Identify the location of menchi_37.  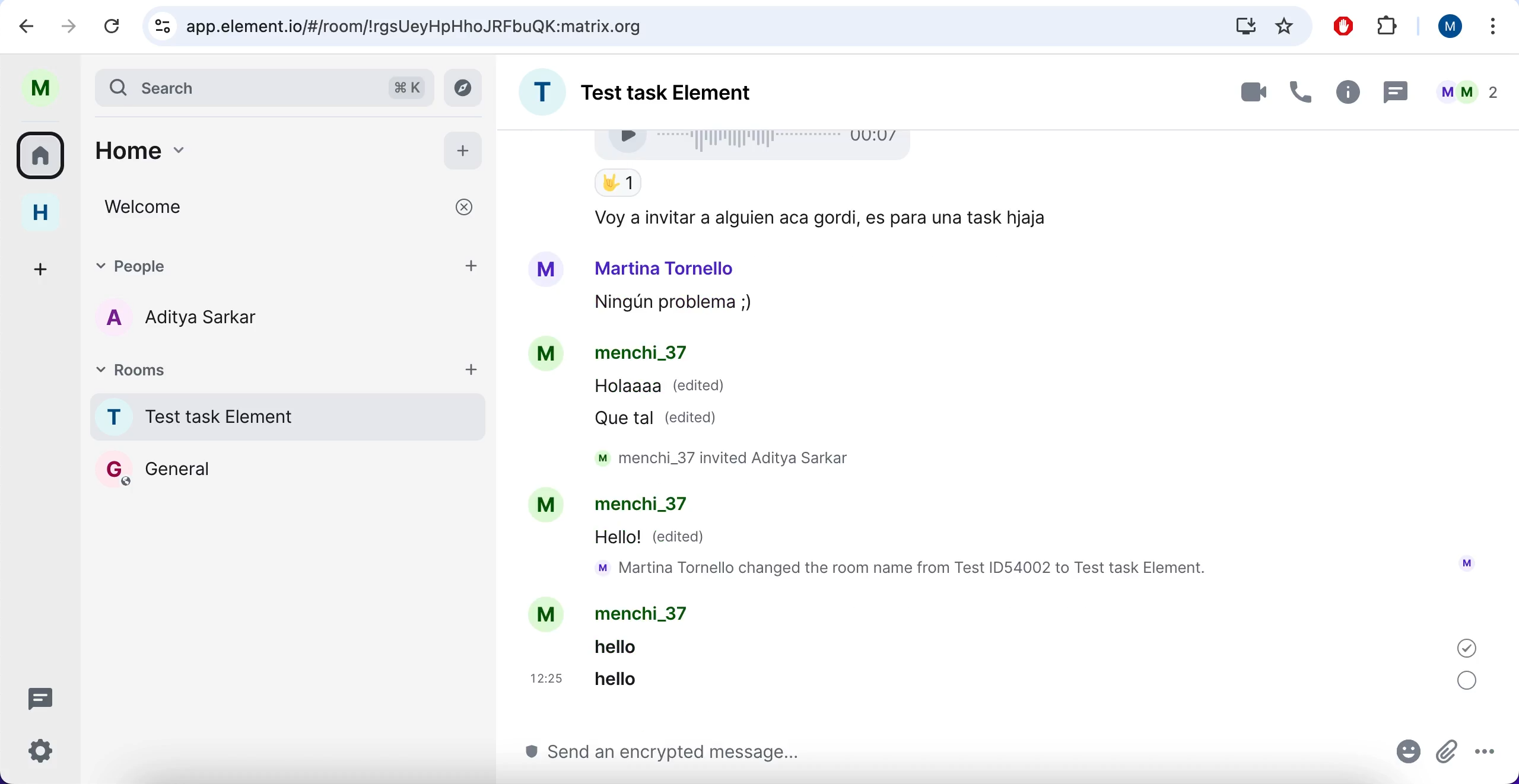
(643, 353).